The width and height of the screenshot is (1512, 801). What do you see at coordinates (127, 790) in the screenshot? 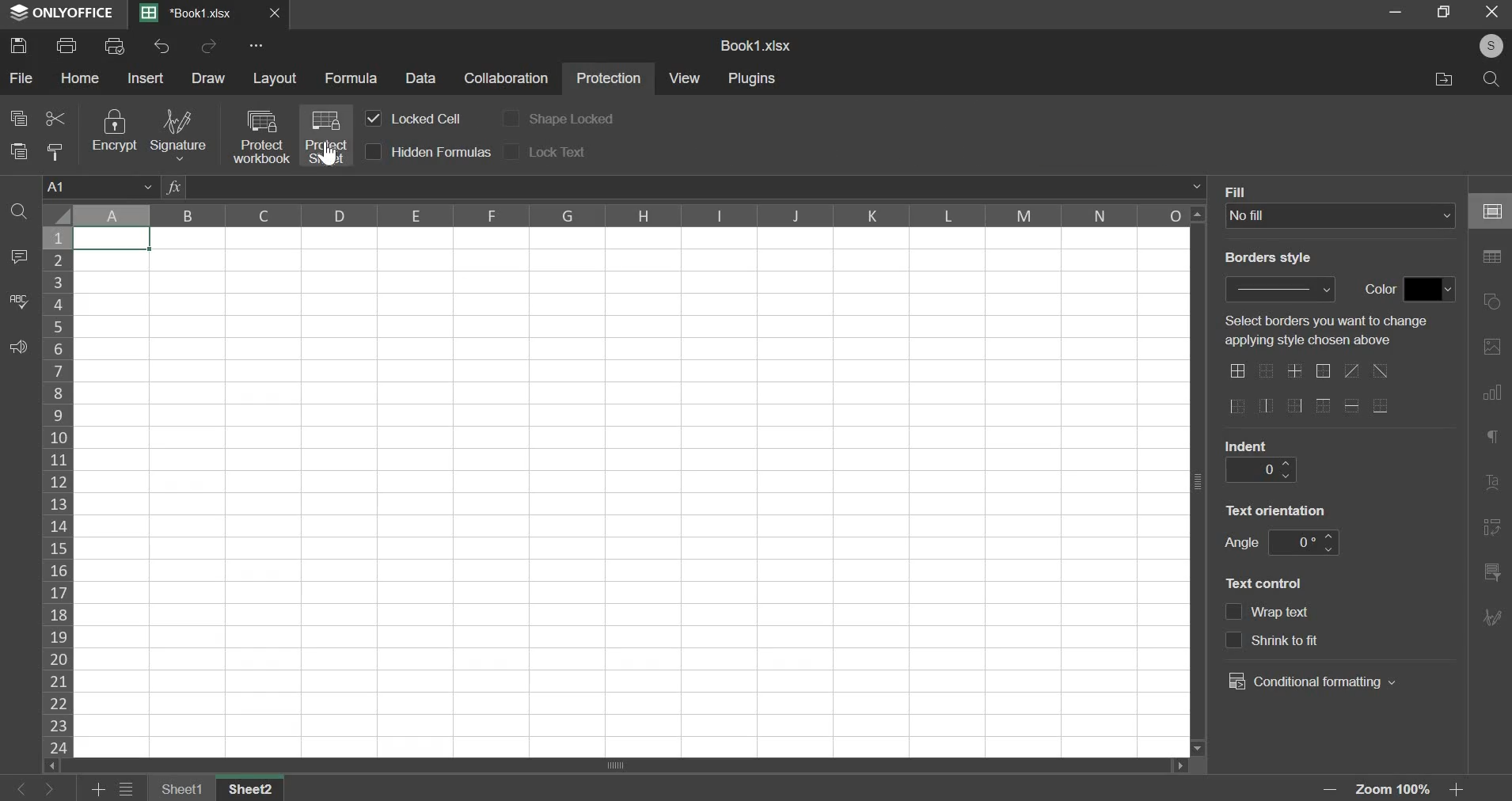
I see `menu` at bounding box center [127, 790].